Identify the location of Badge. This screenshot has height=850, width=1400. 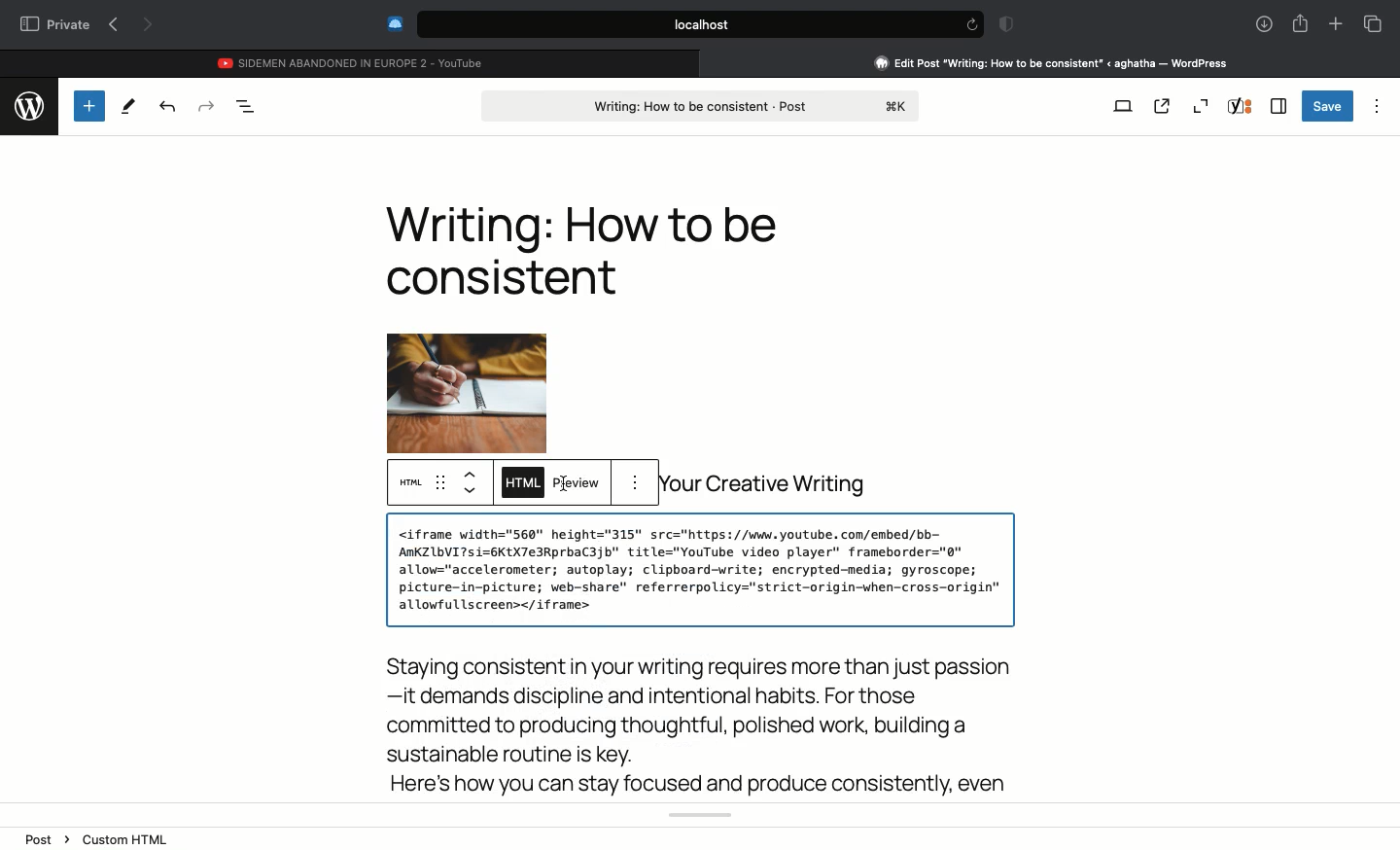
(1003, 25).